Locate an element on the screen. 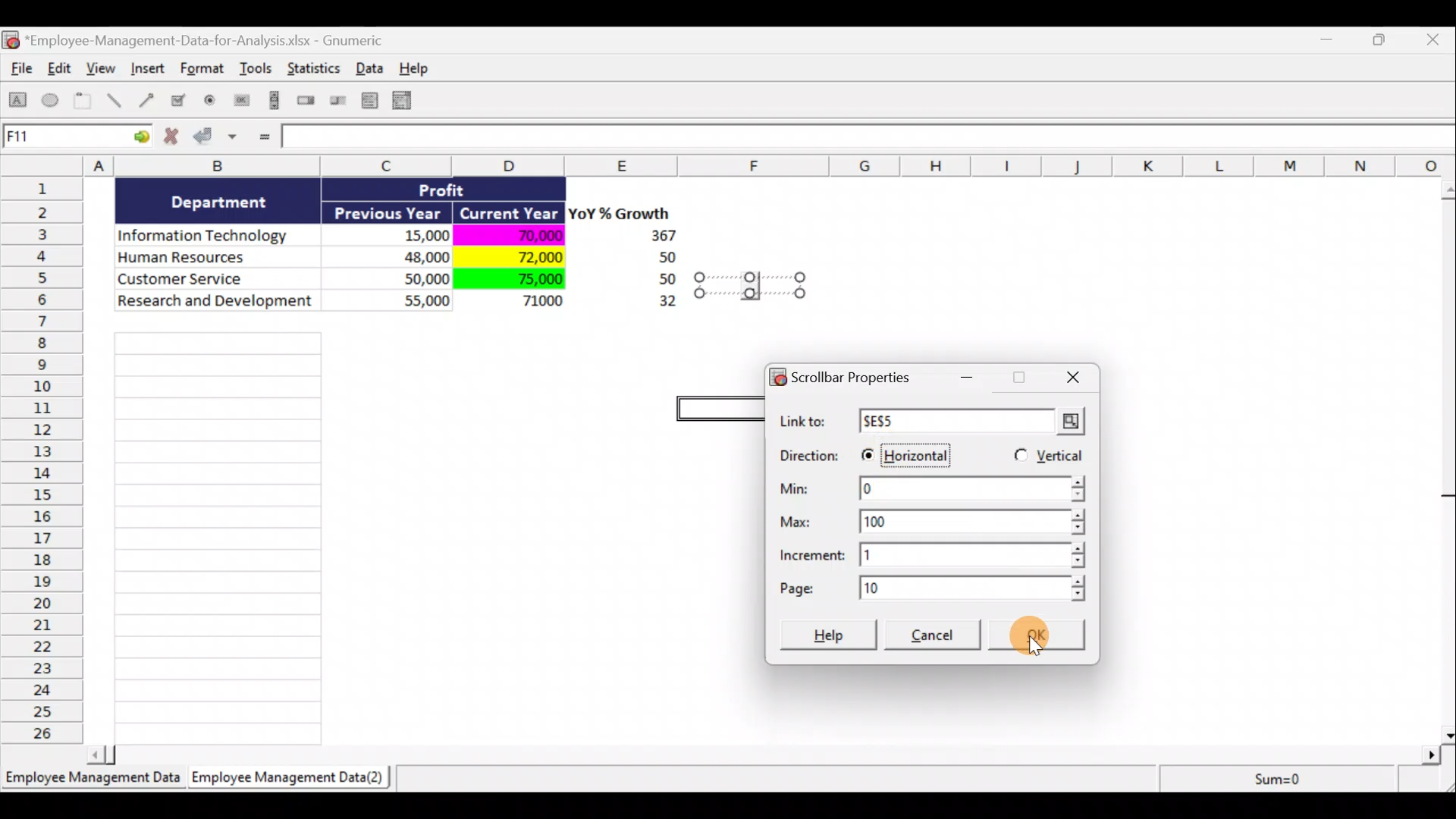 The width and height of the screenshot is (1456, 819). resize handle is located at coordinates (750, 284).